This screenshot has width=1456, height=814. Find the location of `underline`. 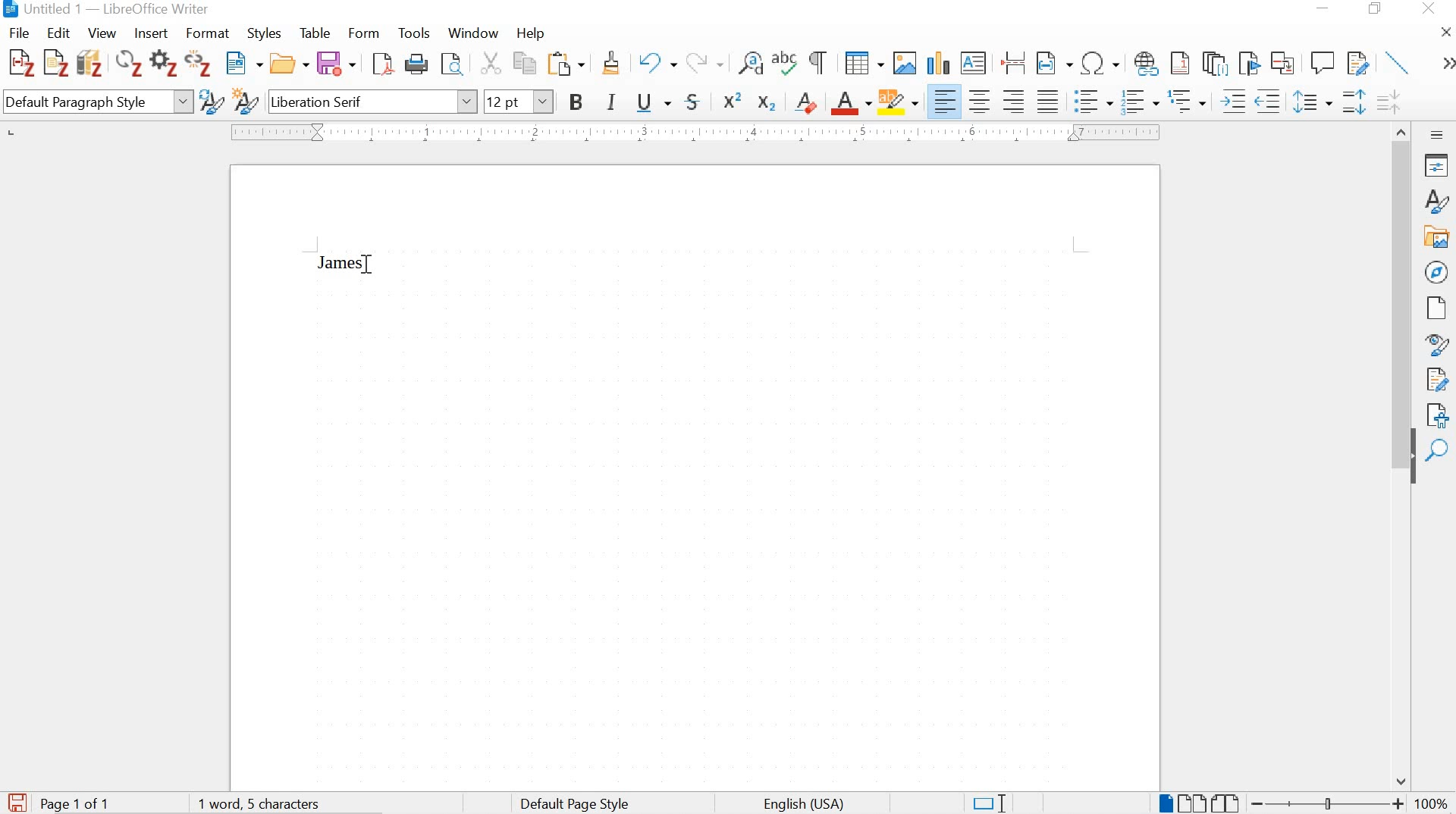

underline is located at coordinates (654, 104).